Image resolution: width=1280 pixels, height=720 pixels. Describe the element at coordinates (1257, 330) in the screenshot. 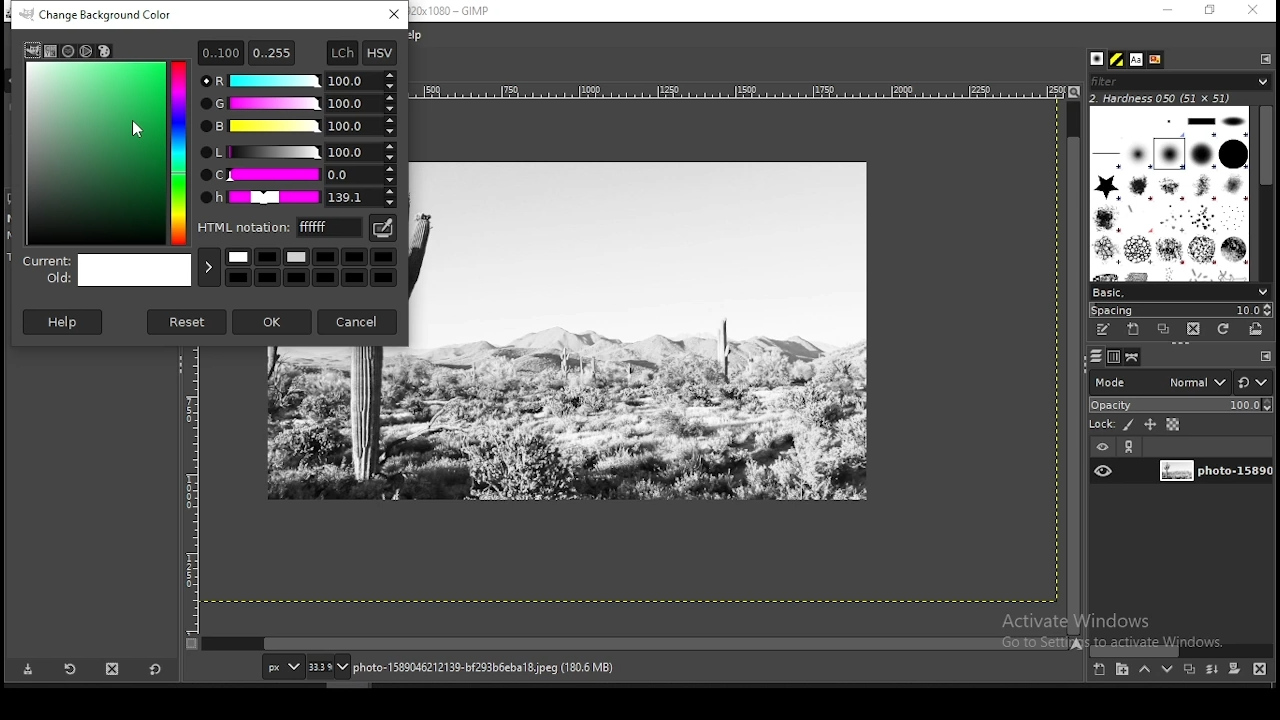

I see `open brush as image` at that location.